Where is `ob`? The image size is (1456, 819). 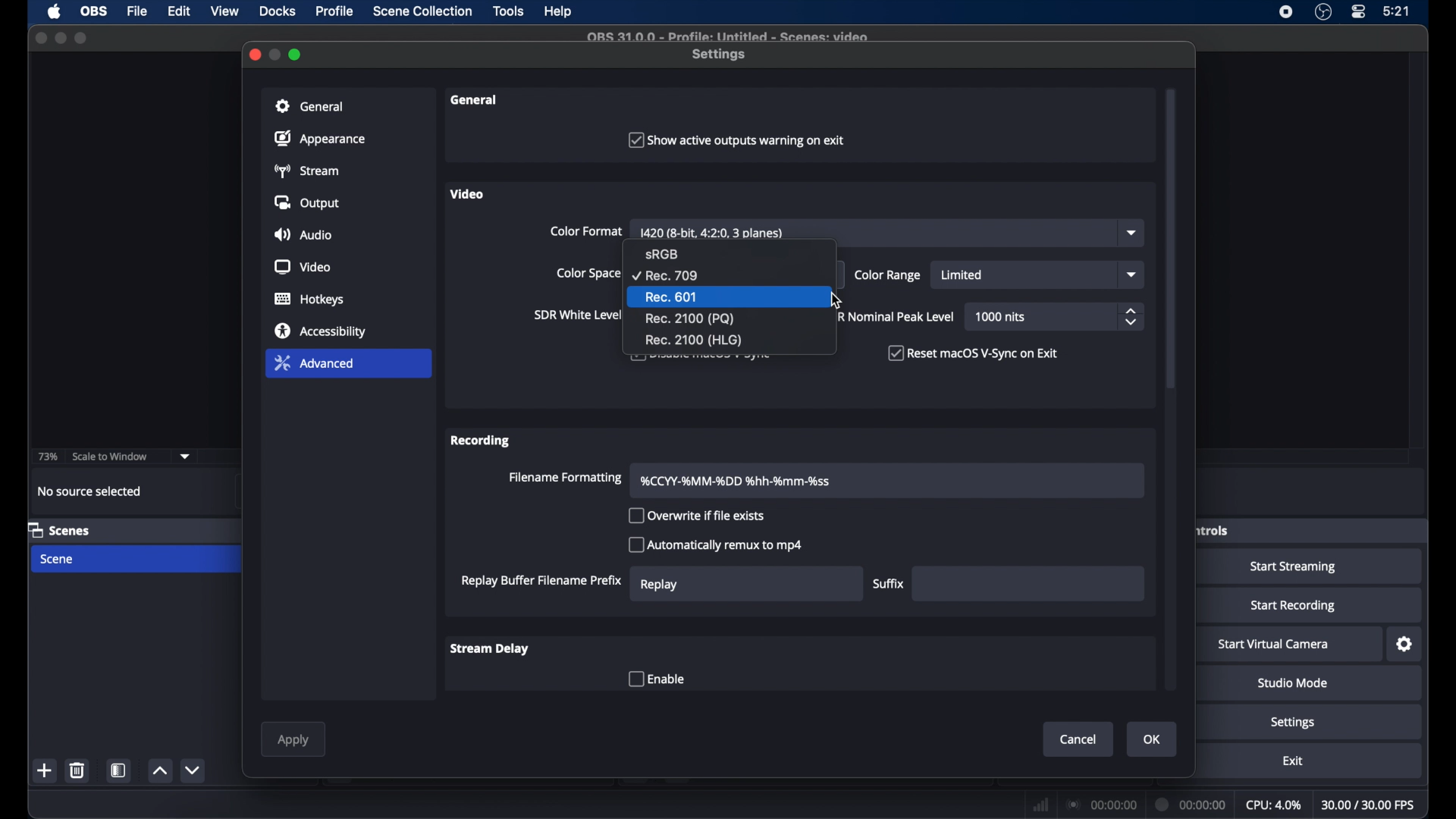
ob is located at coordinates (95, 11).